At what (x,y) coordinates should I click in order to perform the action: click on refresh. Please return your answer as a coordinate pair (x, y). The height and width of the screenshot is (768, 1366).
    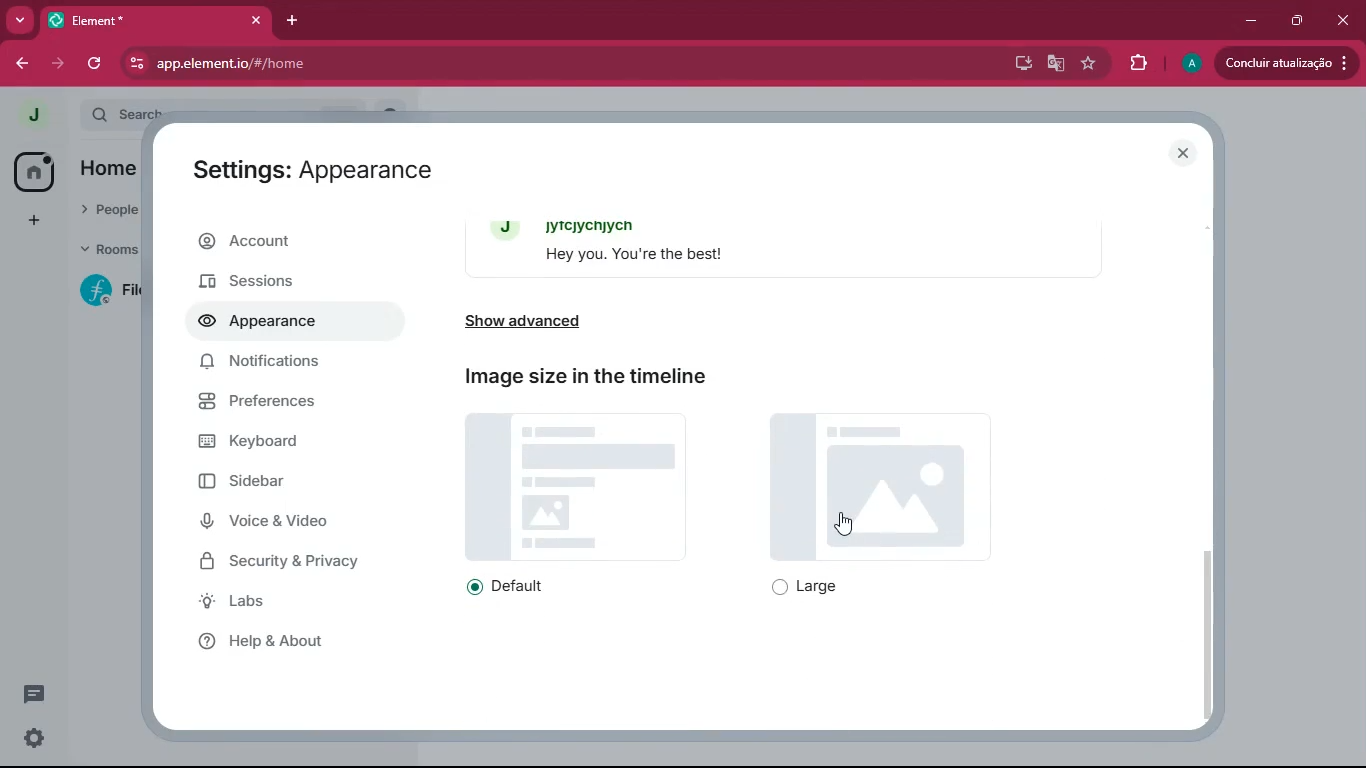
    Looking at the image, I should click on (96, 63).